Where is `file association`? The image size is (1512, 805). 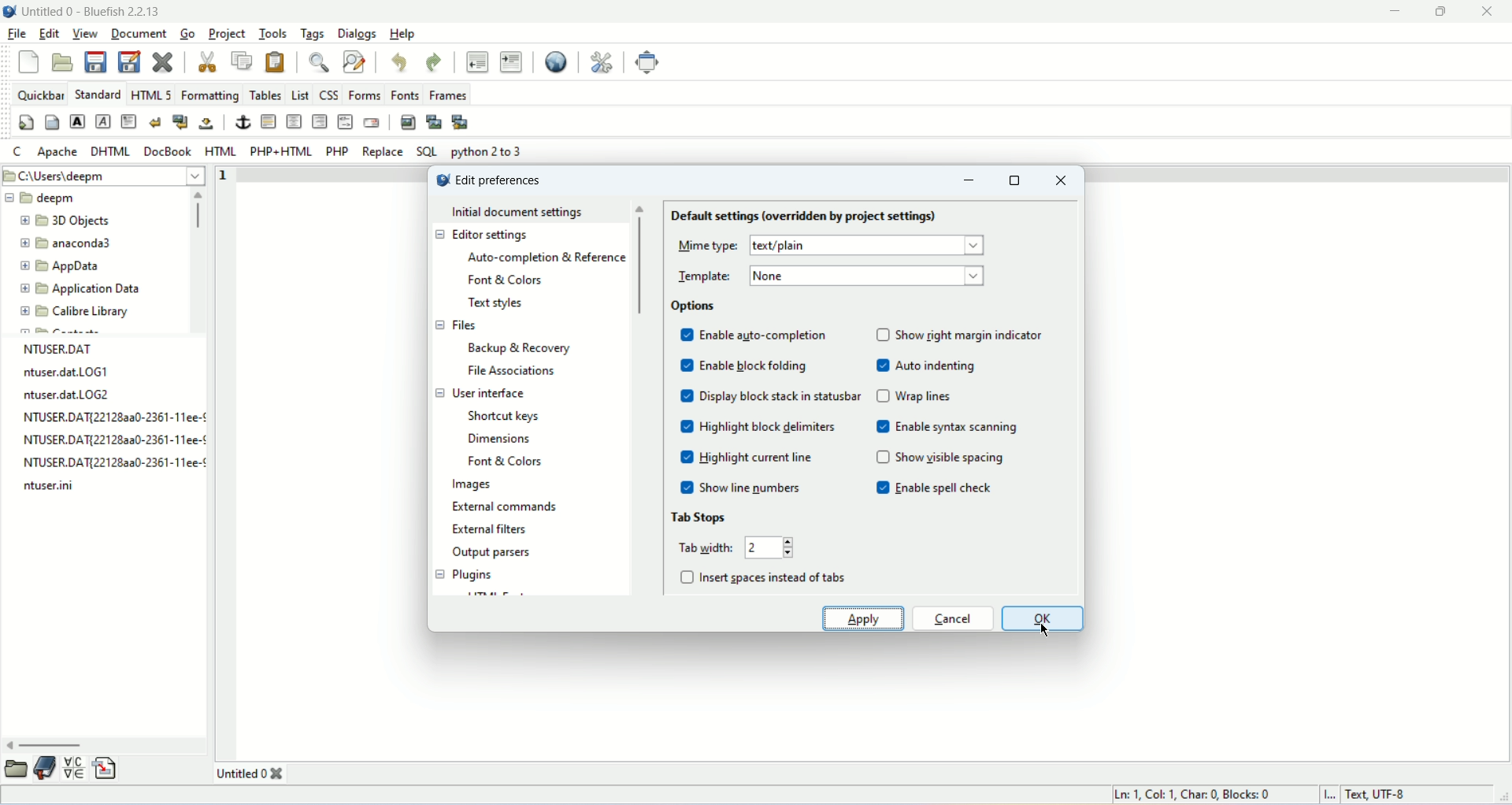
file association is located at coordinates (510, 370).